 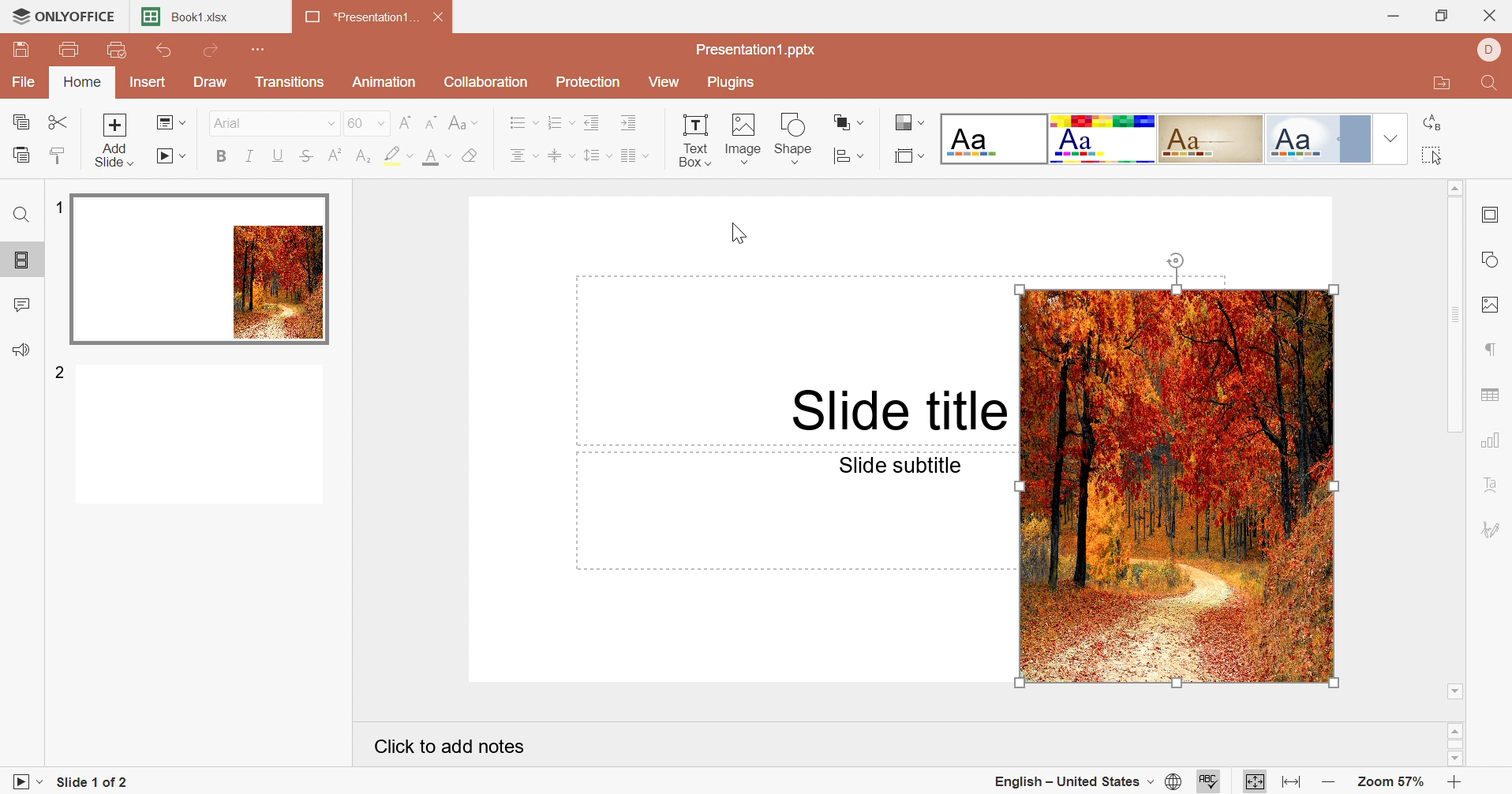 What do you see at coordinates (61, 370) in the screenshot?
I see `2` at bounding box center [61, 370].